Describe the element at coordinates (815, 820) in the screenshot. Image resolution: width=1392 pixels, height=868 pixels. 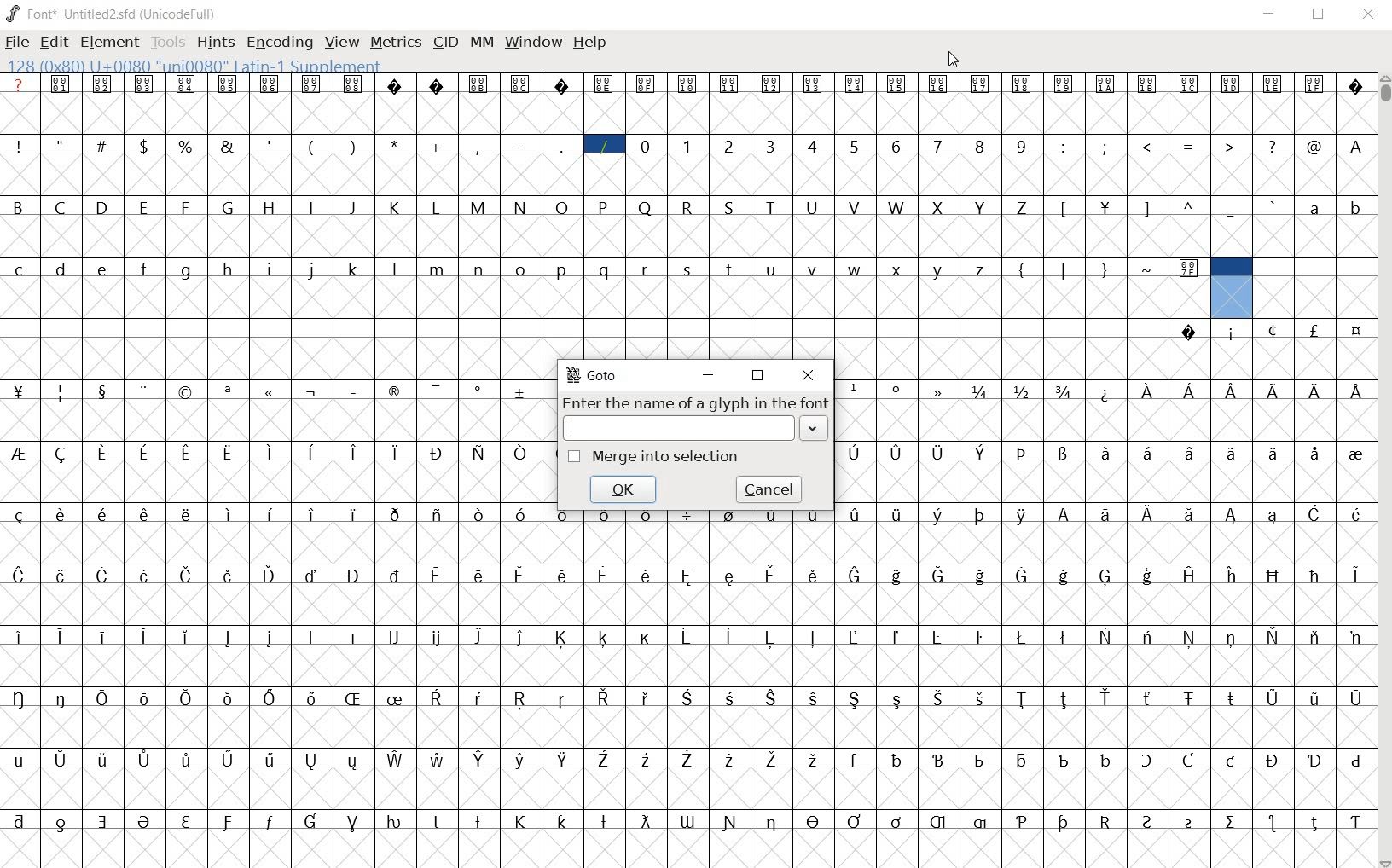
I see `Symbol` at that location.